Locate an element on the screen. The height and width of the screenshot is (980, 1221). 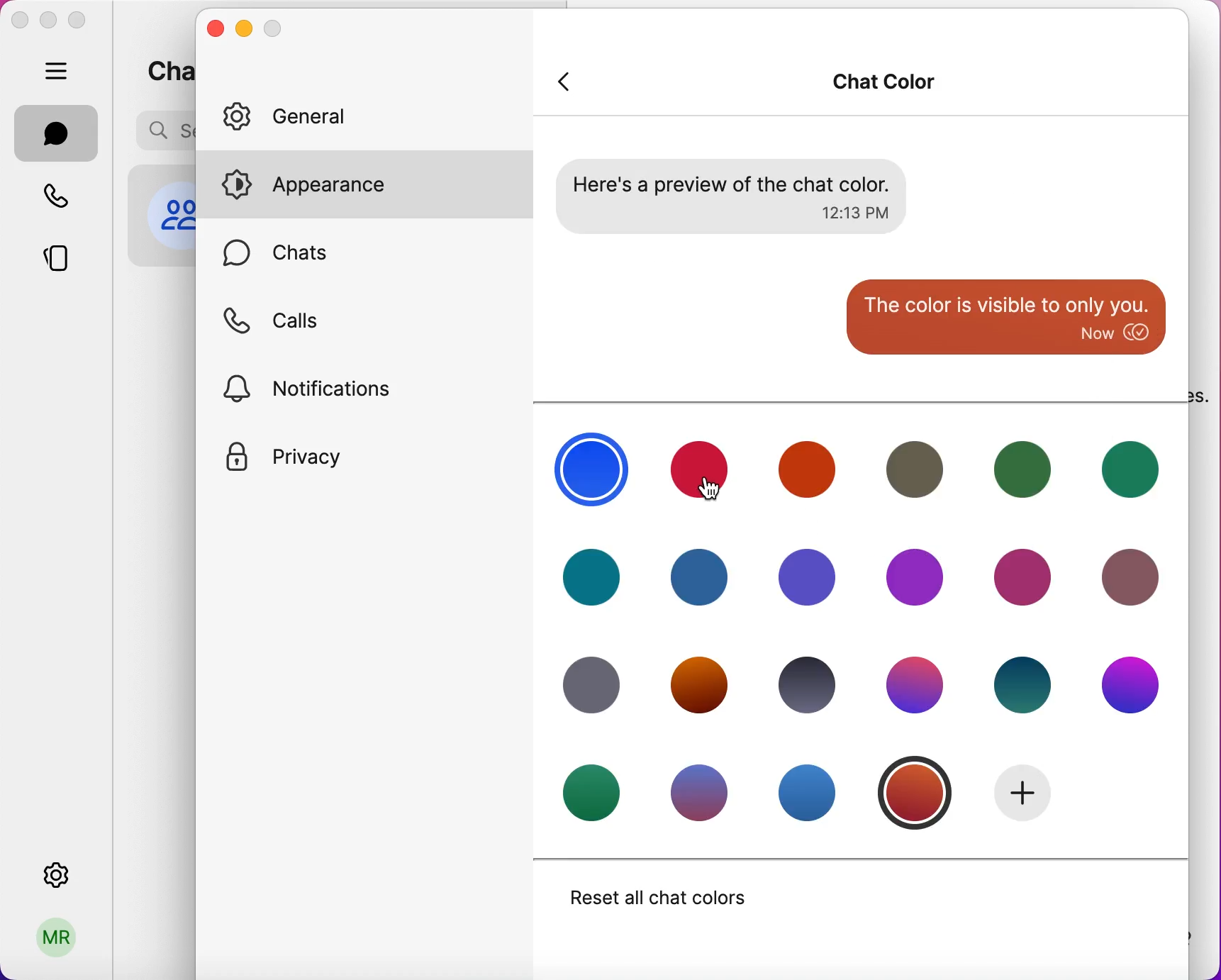
search bar is located at coordinates (161, 130).